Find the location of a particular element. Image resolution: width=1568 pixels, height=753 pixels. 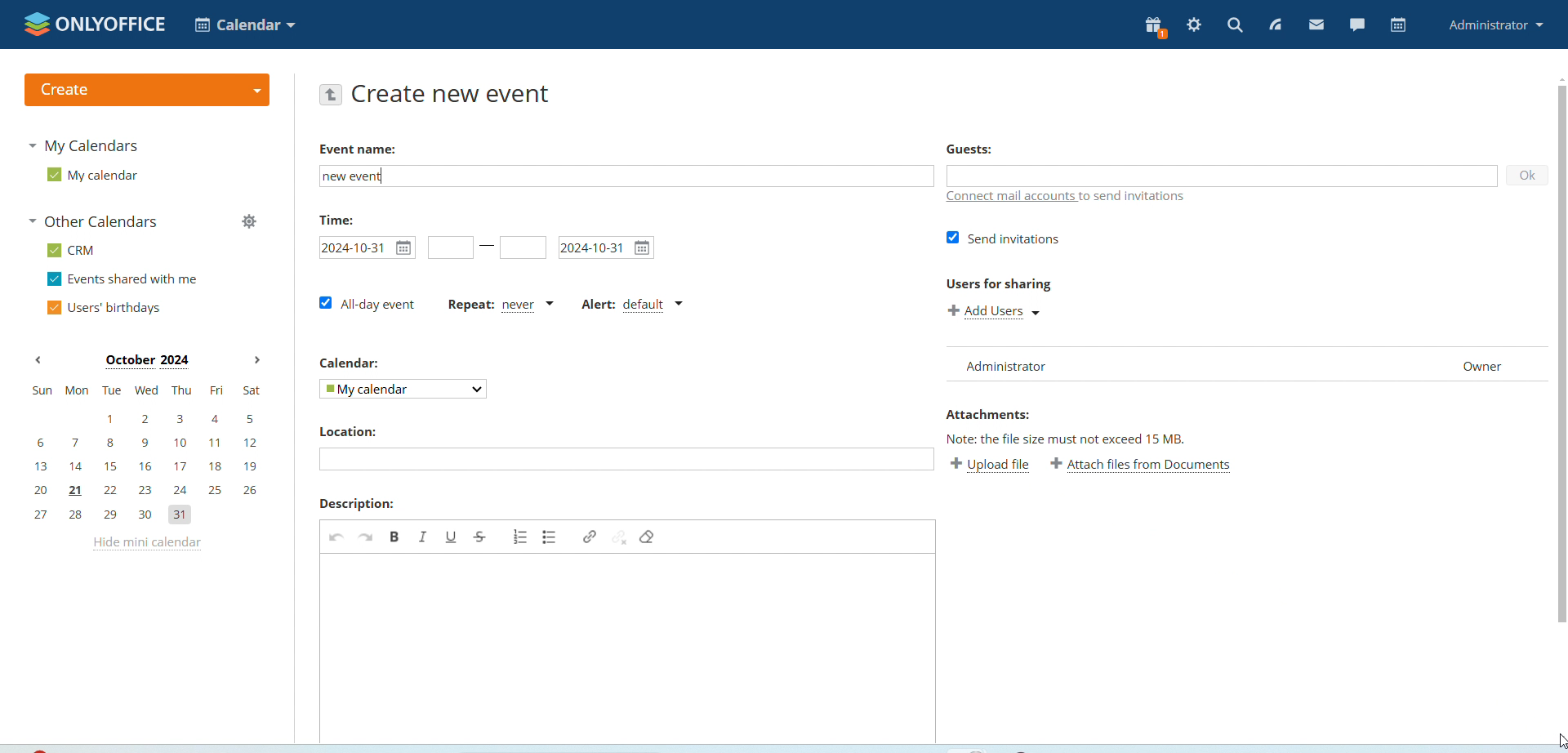

other calendars is located at coordinates (98, 221).